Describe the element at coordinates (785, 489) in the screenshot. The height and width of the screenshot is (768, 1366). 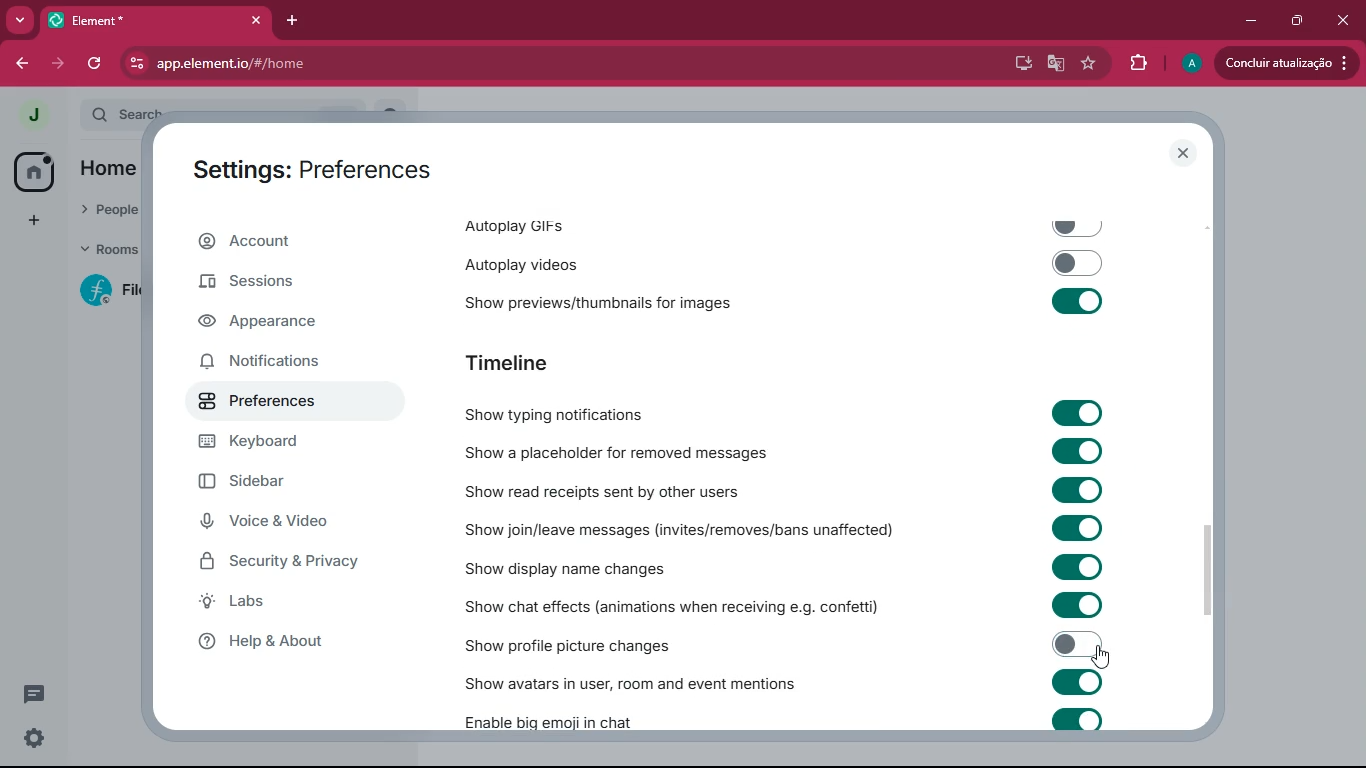
I see `Show read receipts sent by other users` at that location.